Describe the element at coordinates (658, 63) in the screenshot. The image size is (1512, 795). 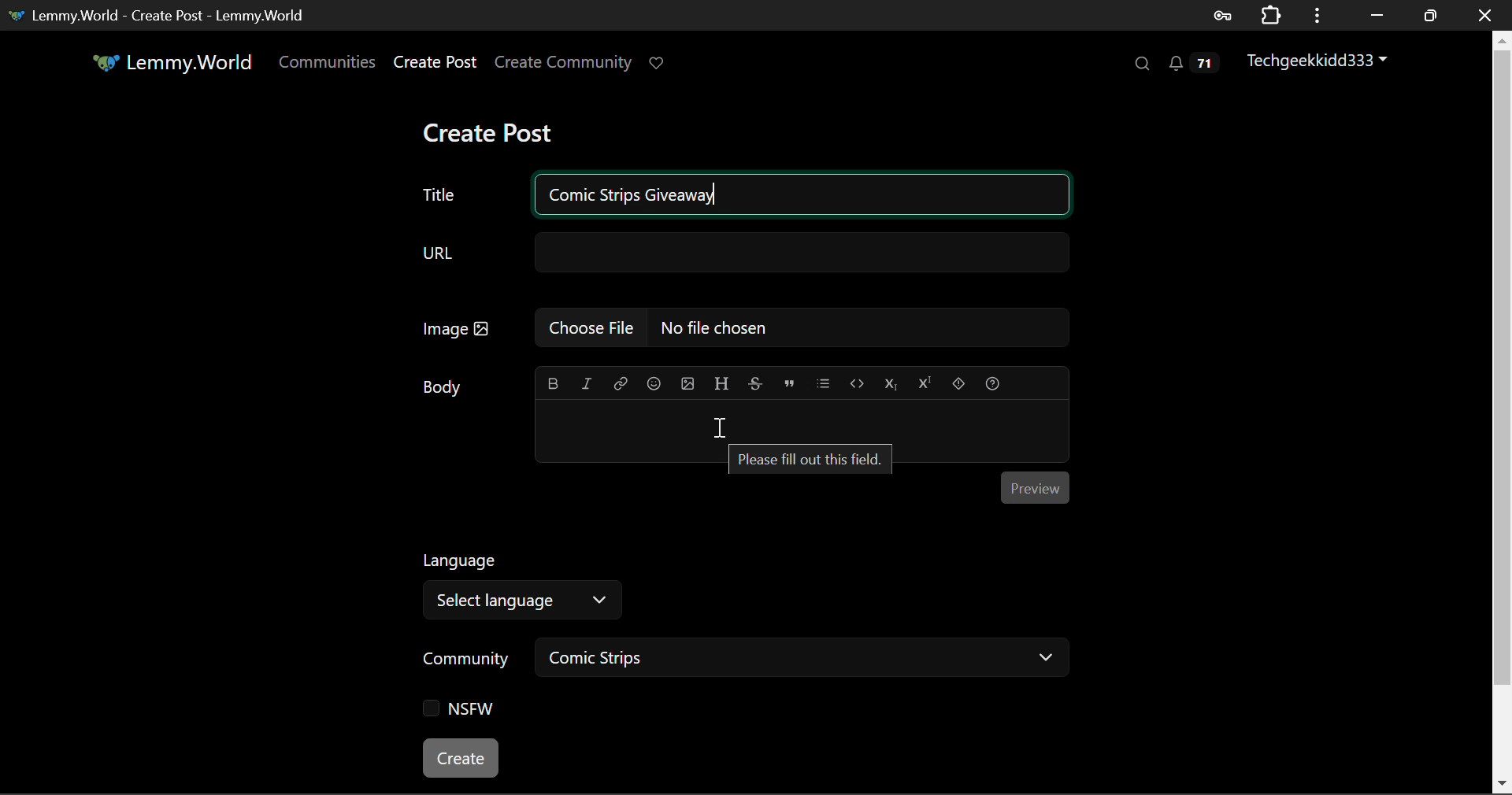
I see `Donate Page Link` at that location.